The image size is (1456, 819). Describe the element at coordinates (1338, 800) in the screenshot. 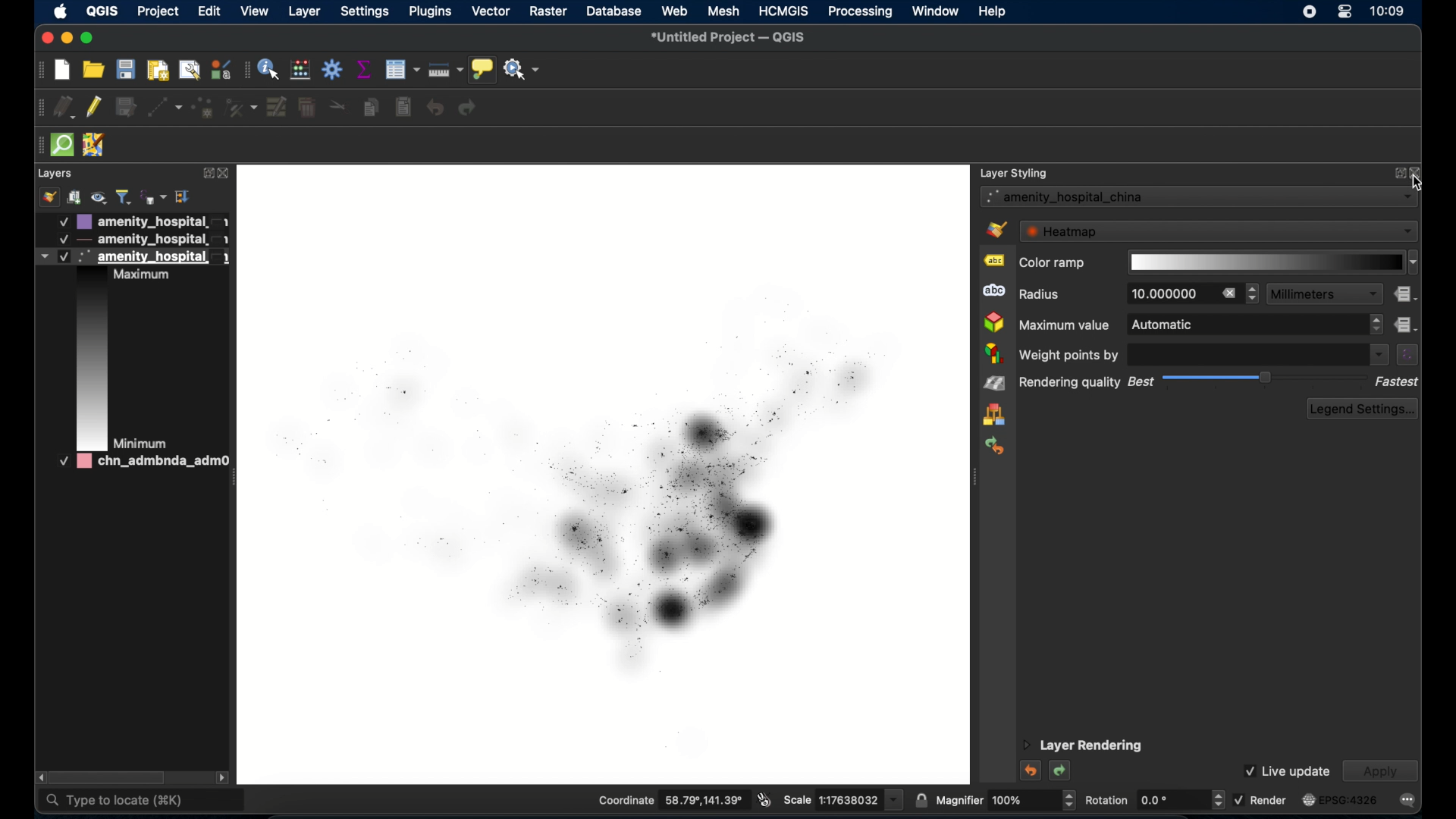

I see `current crs` at that location.